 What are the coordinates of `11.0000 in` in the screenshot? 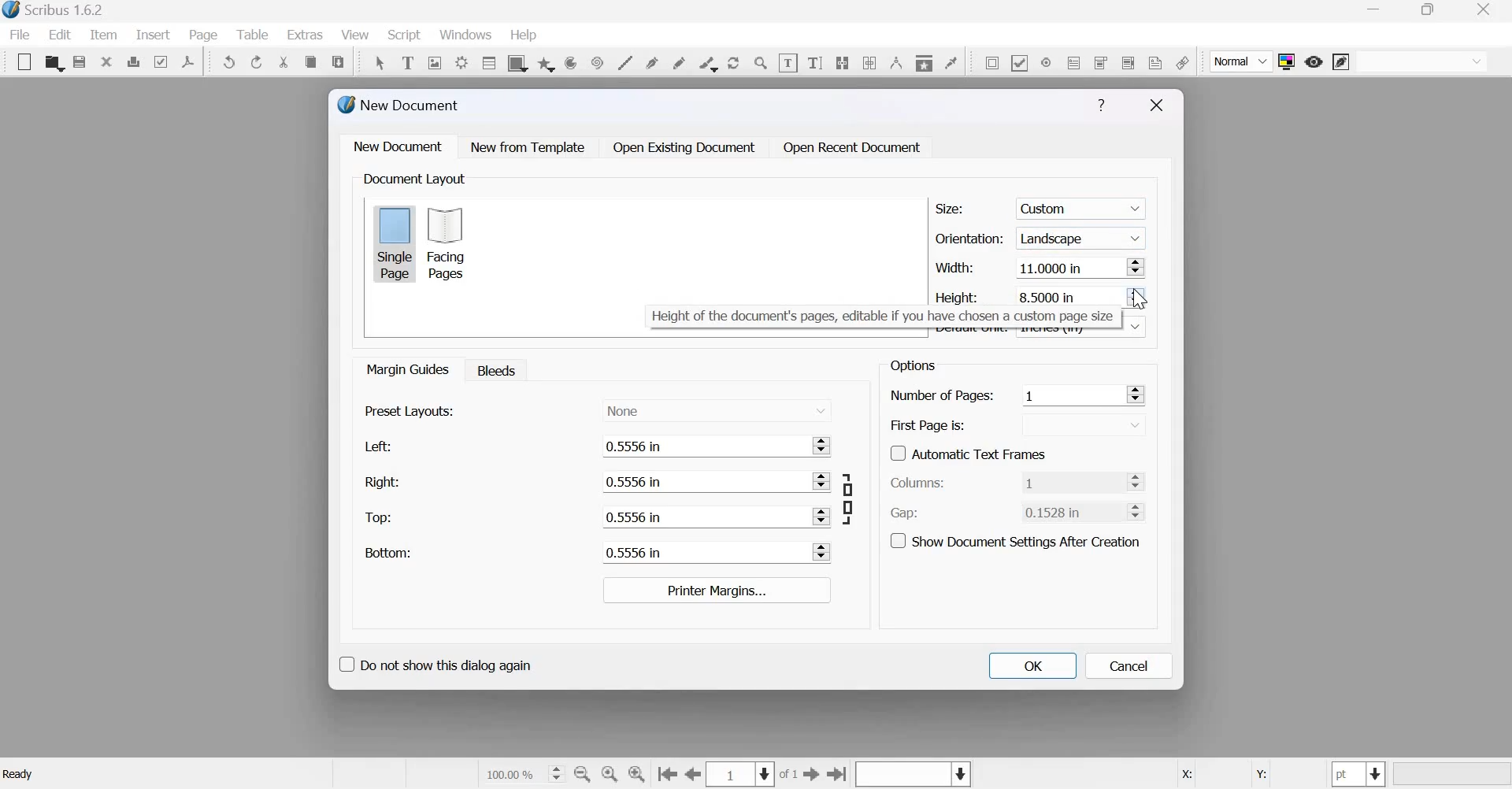 It's located at (1069, 269).